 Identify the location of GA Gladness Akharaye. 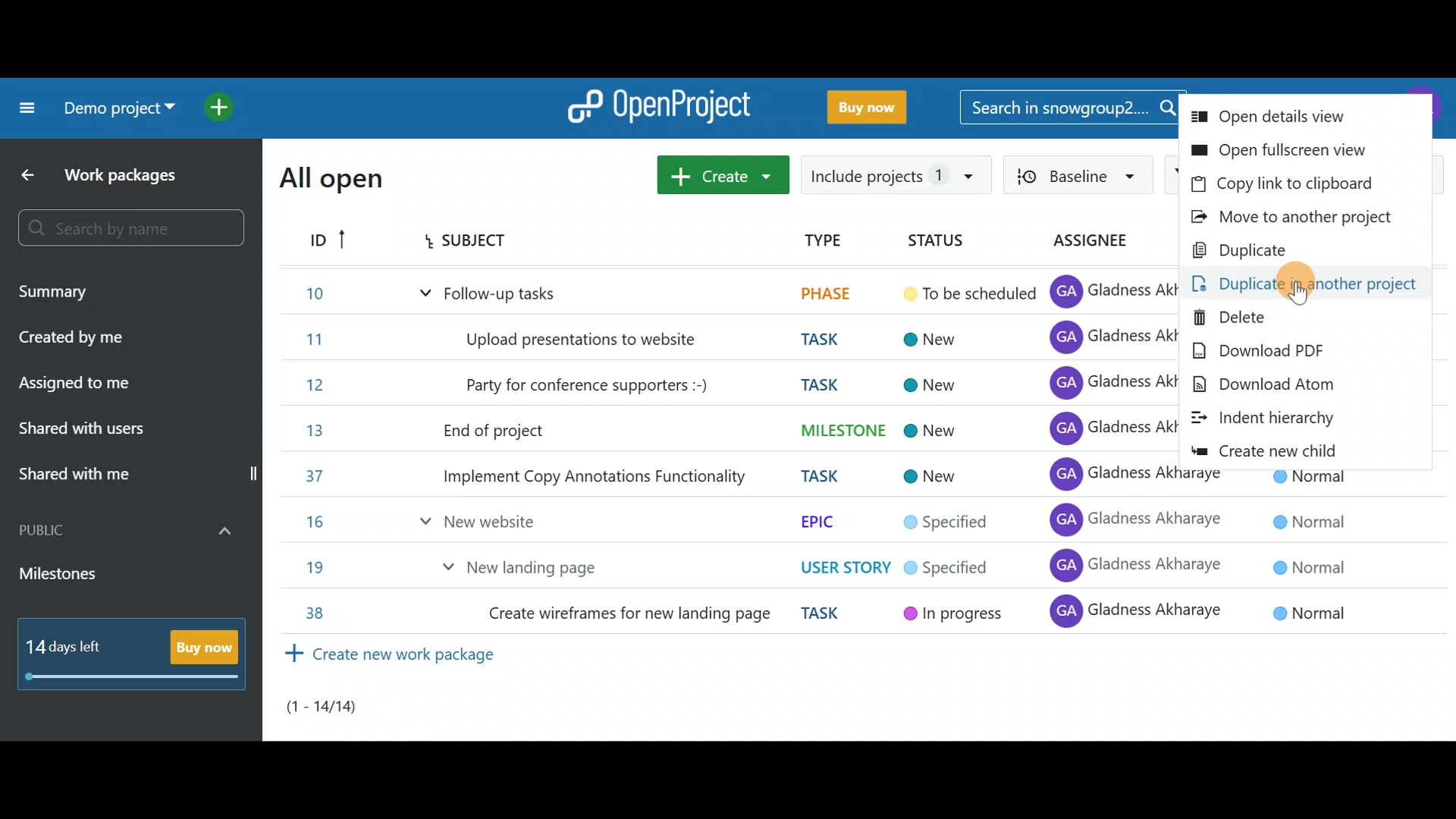
(1136, 565).